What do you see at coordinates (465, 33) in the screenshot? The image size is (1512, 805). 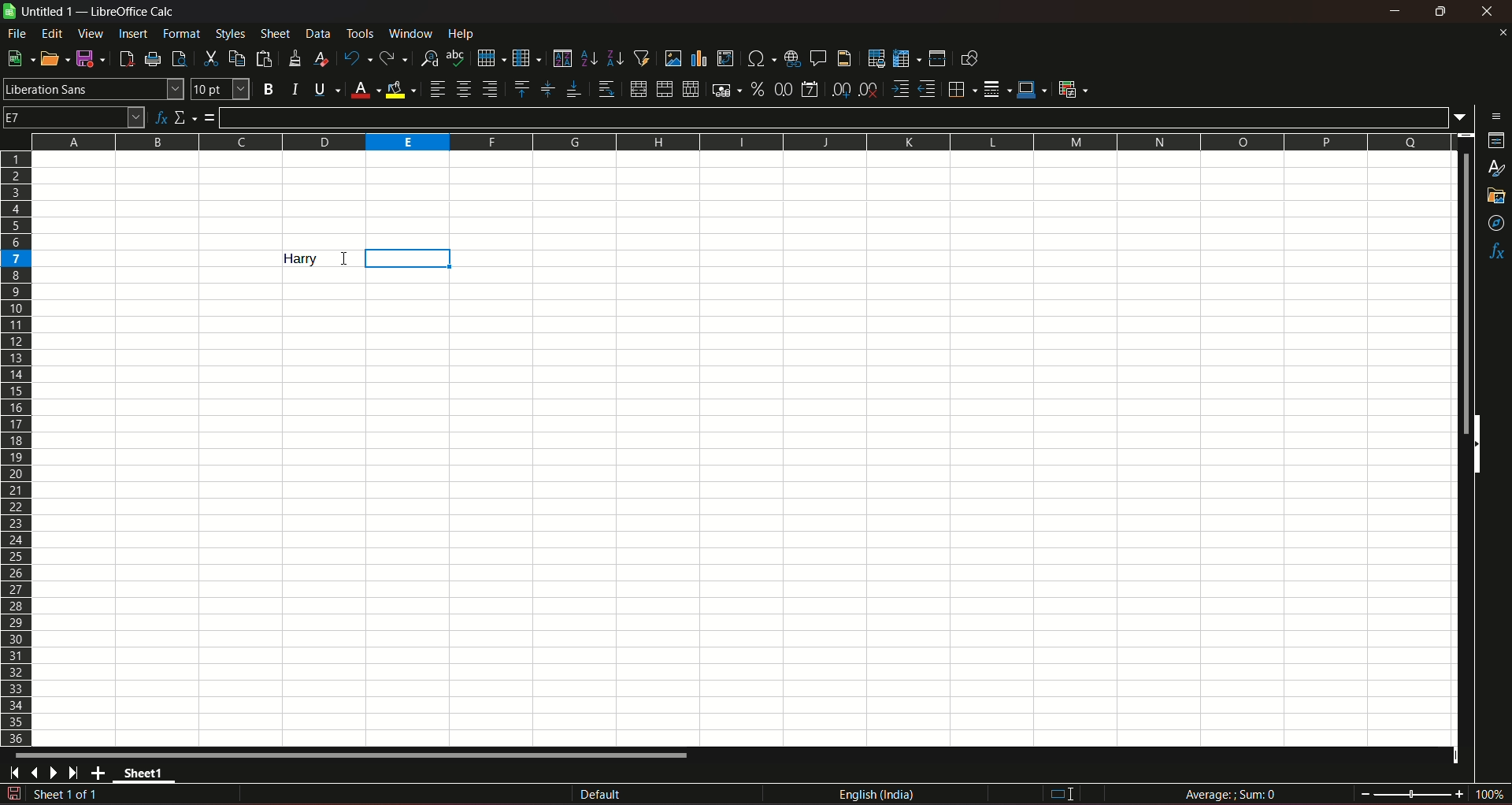 I see `help` at bounding box center [465, 33].